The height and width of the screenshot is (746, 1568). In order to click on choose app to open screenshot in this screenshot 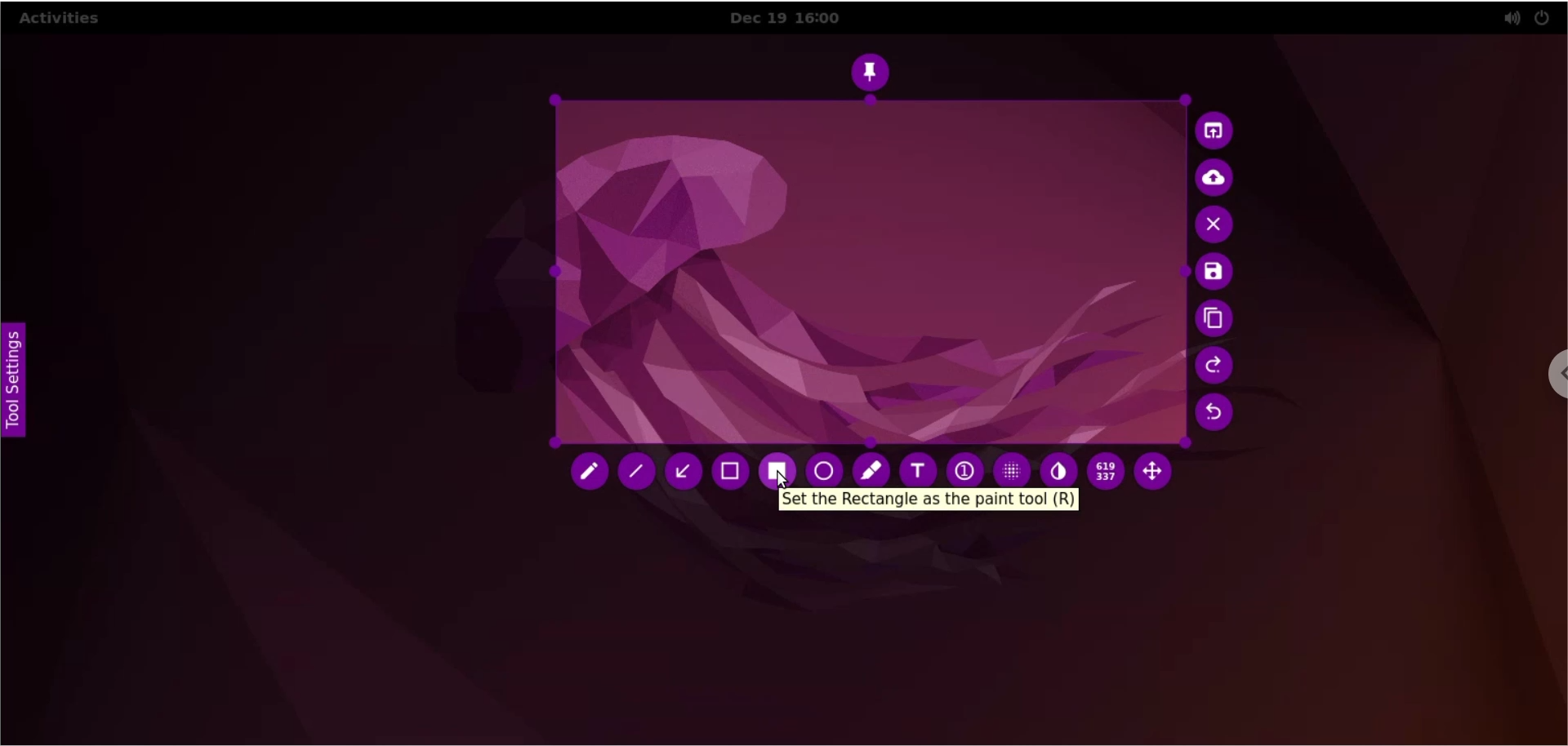, I will do `click(1216, 131)`.